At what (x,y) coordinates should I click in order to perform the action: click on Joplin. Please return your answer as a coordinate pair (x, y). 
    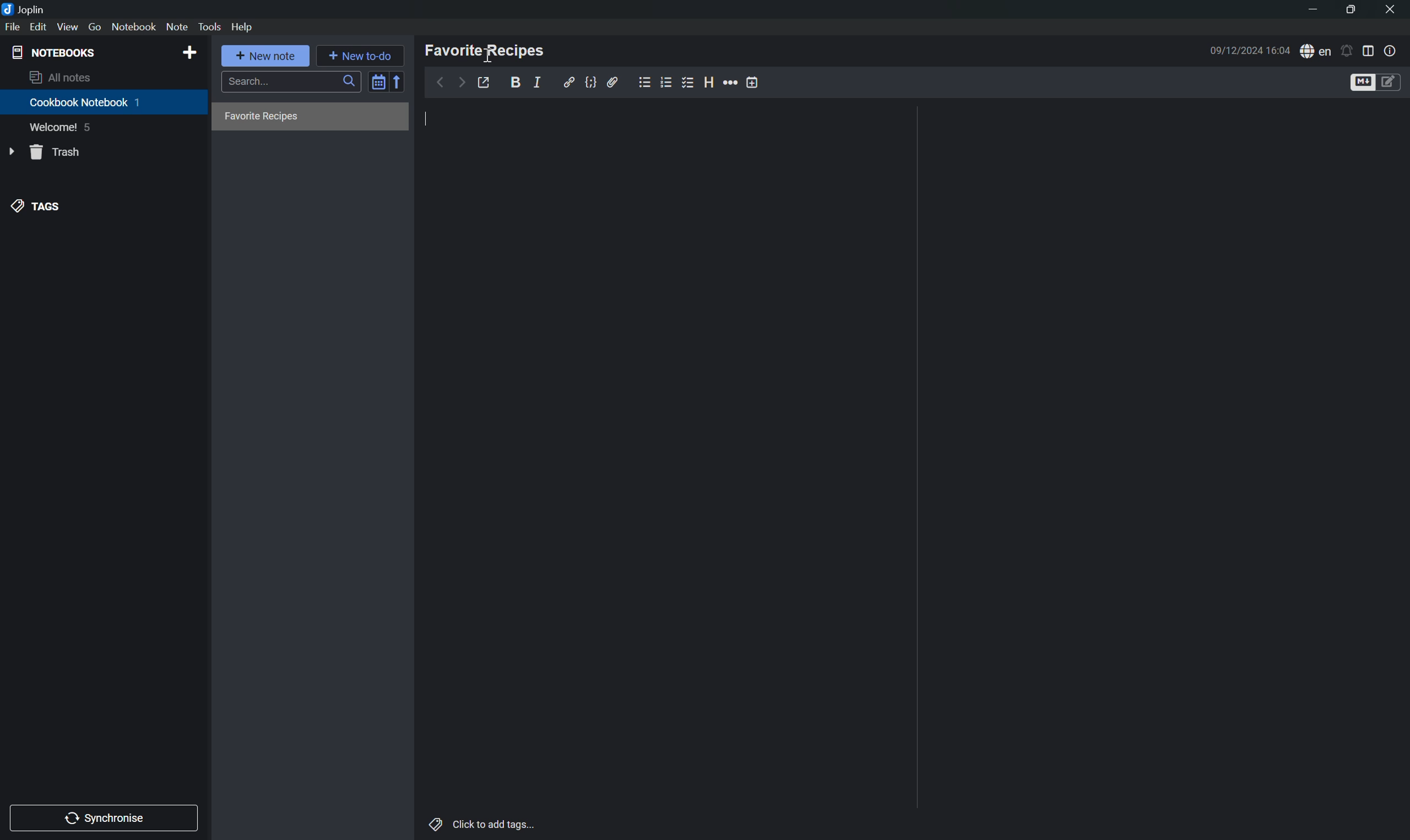
    Looking at the image, I should click on (25, 8).